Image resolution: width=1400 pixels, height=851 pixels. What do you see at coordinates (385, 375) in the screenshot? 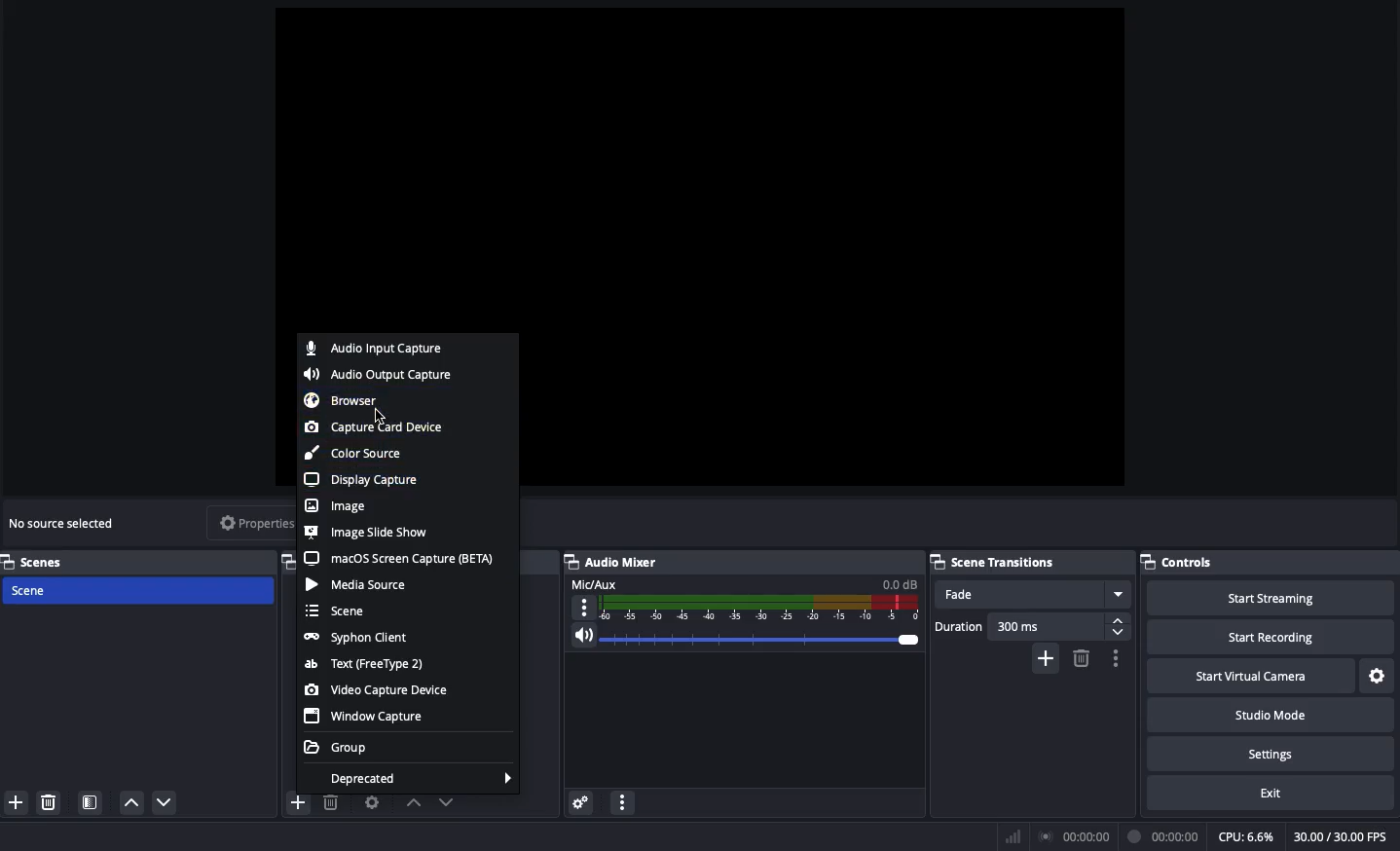
I see `Audio output capture` at bounding box center [385, 375].